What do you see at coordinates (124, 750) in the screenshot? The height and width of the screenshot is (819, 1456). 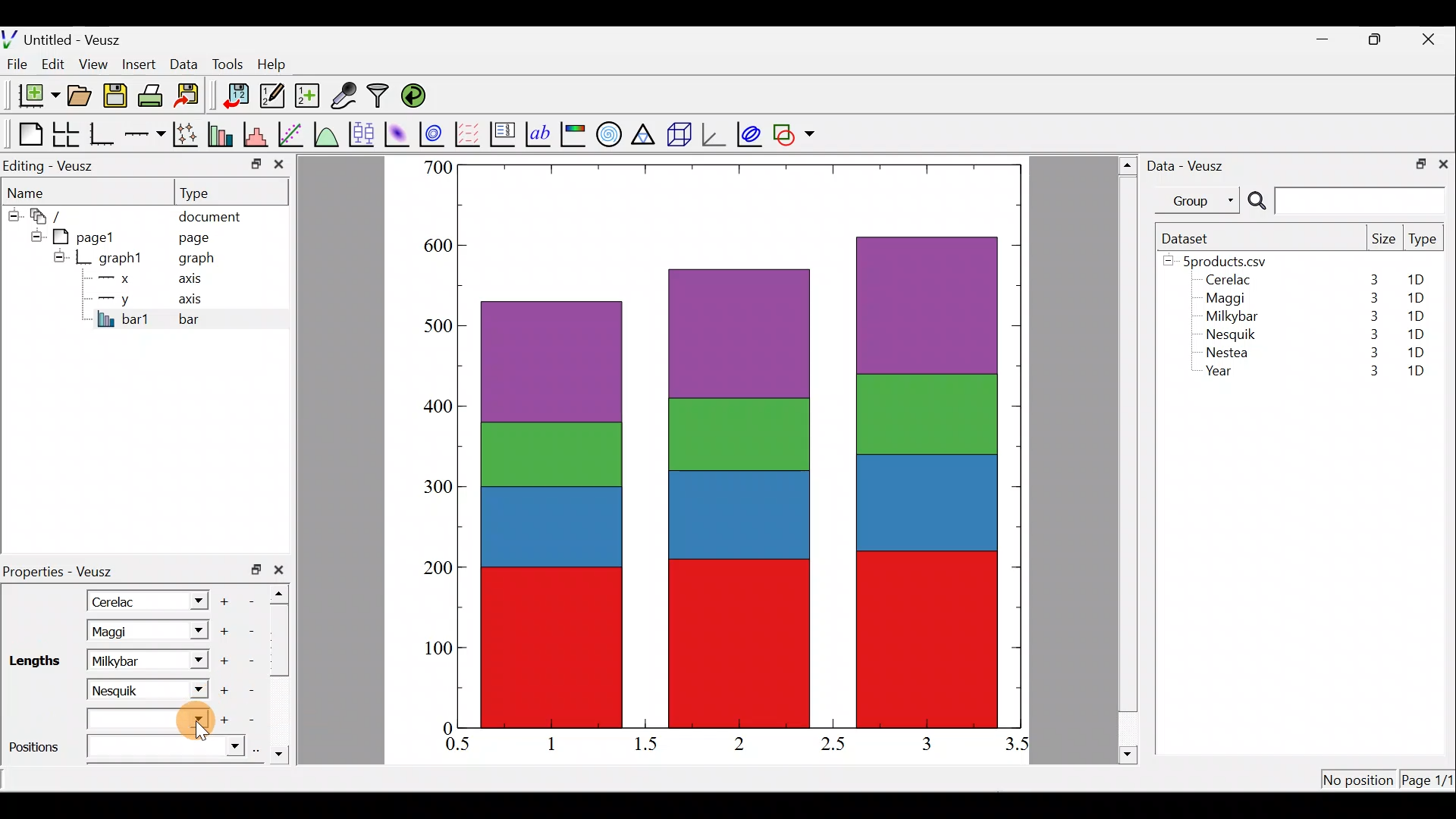 I see `Positions` at bounding box center [124, 750].